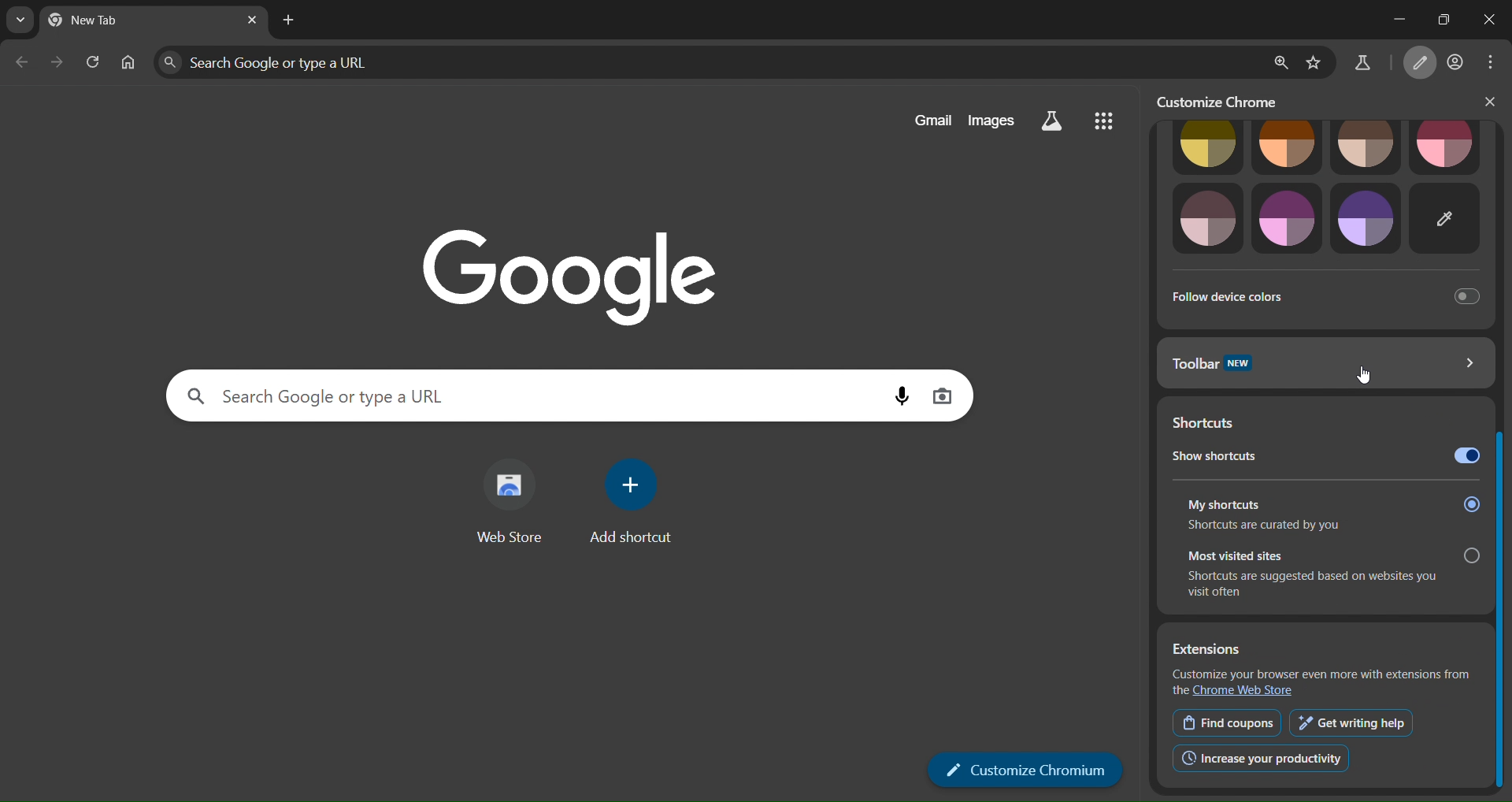 This screenshot has width=1512, height=802. What do you see at coordinates (1330, 574) in the screenshot?
I see `Most visited sites.
Shortcuts are suggested based on websites you
visit often` at bounding box center [1330, 574].